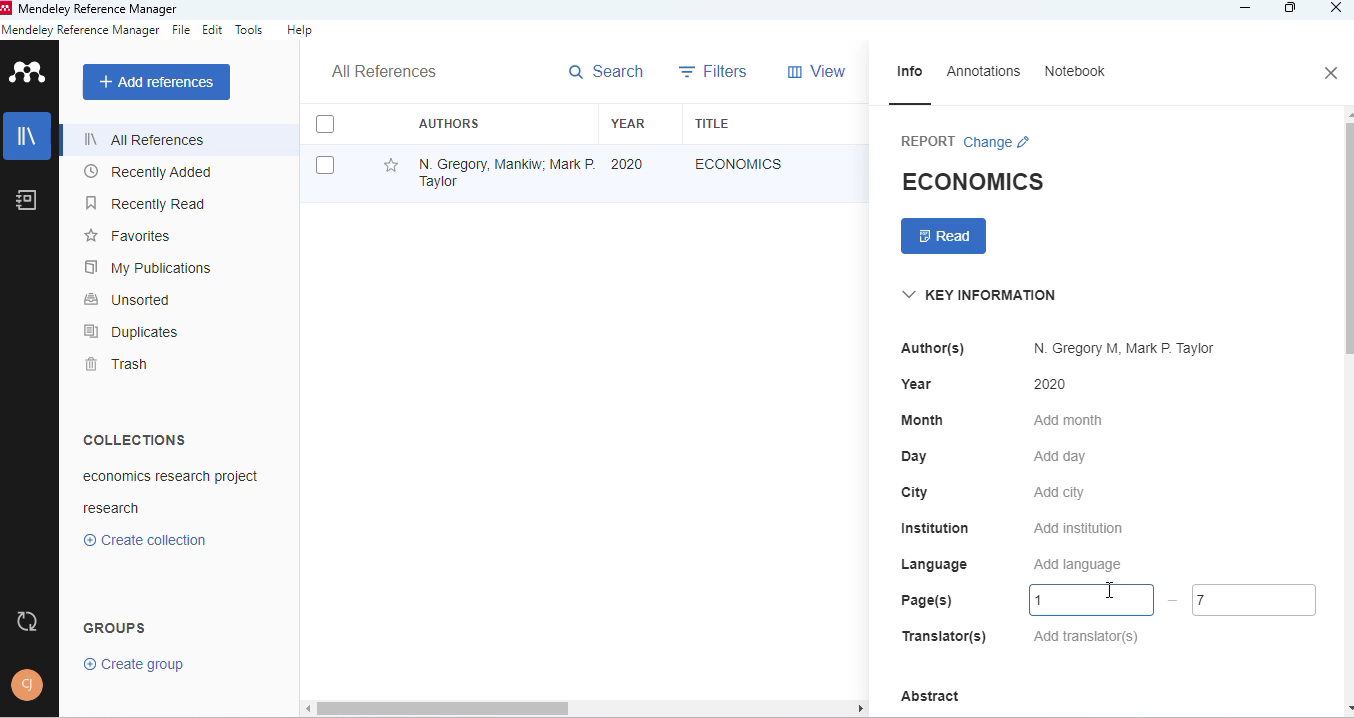 The width and height of the screenshot is (1354, 718). Describe the element at coordinates (629, 124) in the screenshot. I see `year` at that location.